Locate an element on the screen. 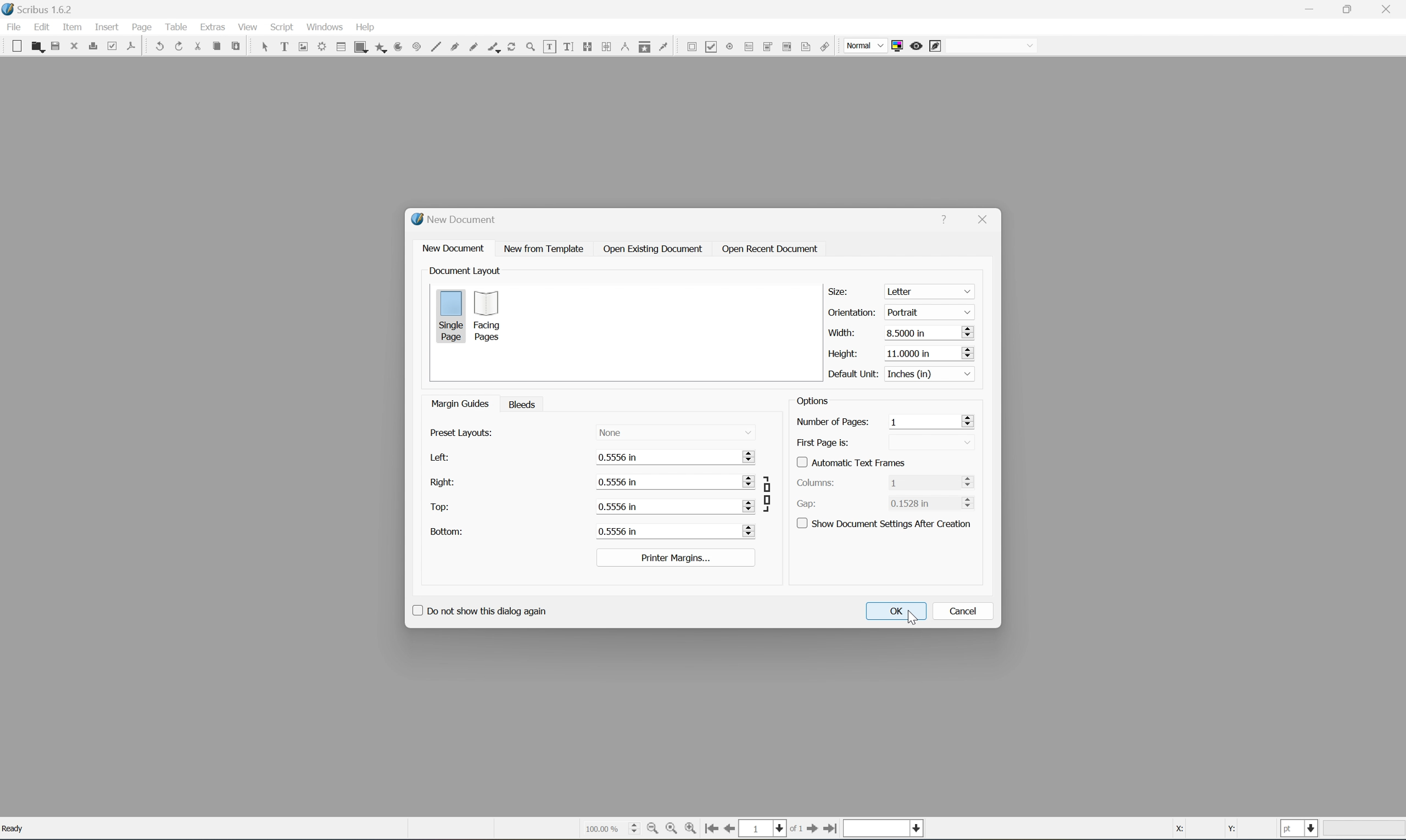 The height and width of the screenshot is (840, 1406). pdf radio button is located at coordinates (730, 46).